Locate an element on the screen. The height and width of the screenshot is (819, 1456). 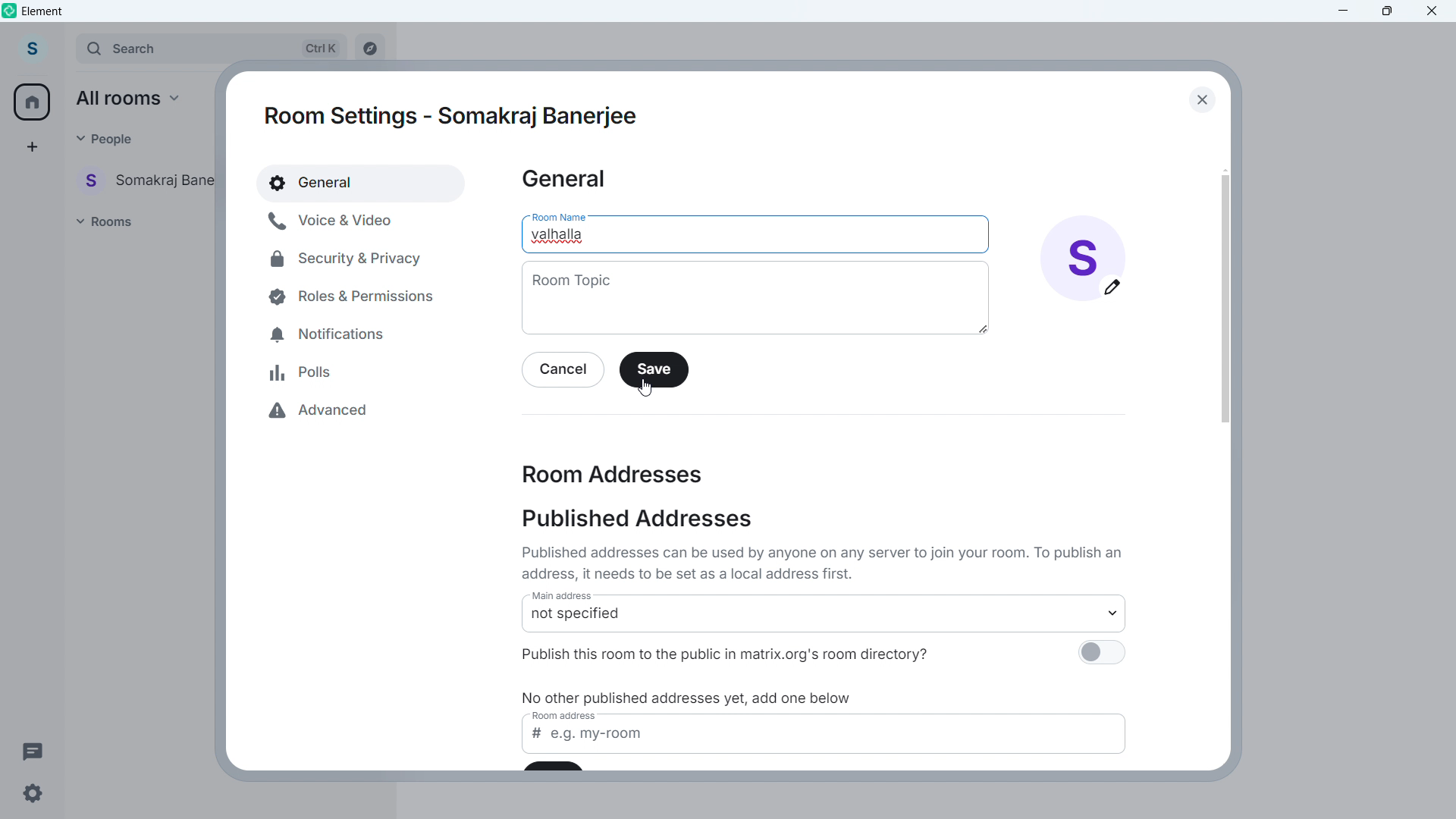
people  is located at coordinates (105, 138).